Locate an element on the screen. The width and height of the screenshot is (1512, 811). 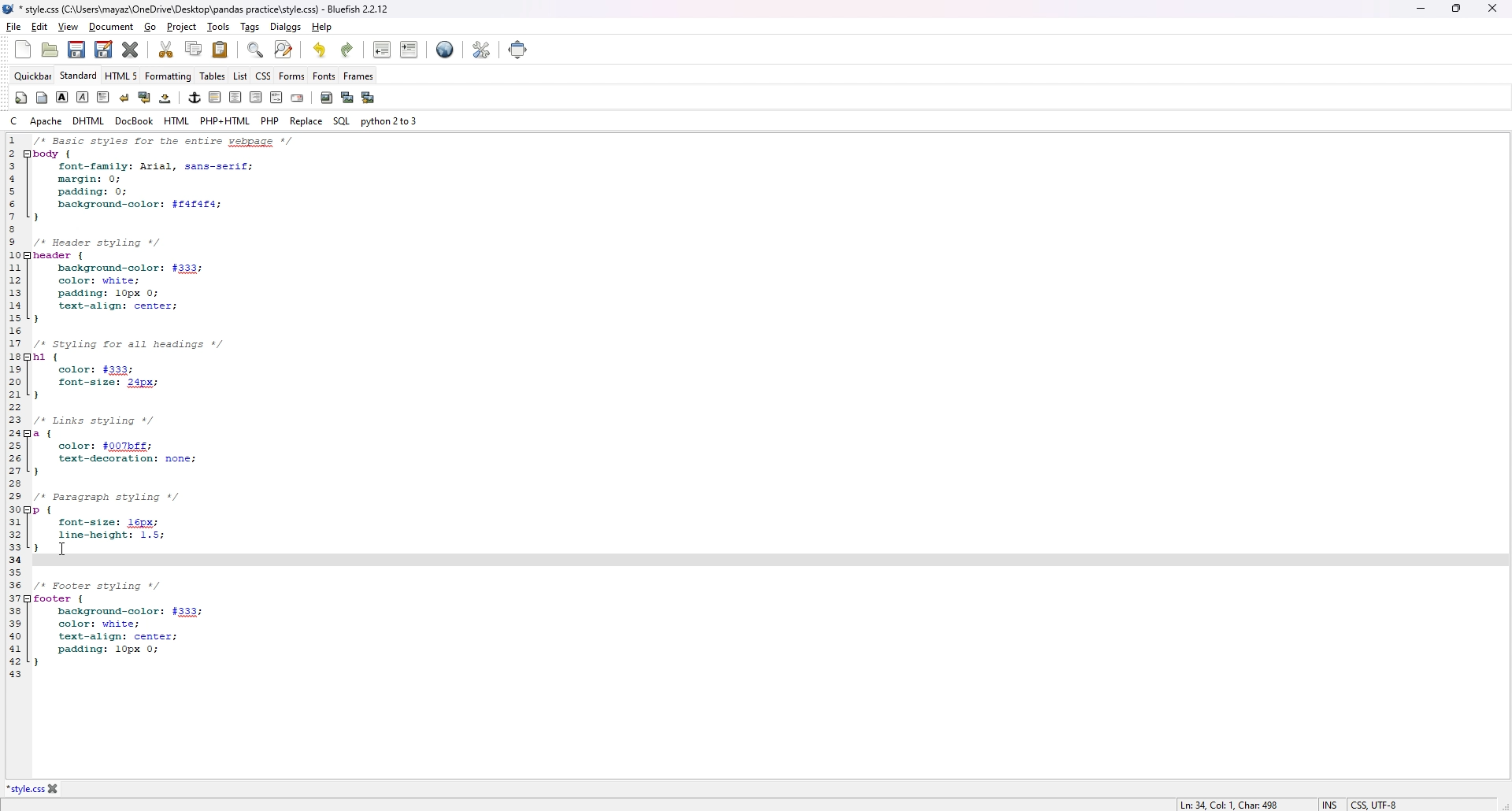
full screen is located at coordinates (517, 50).